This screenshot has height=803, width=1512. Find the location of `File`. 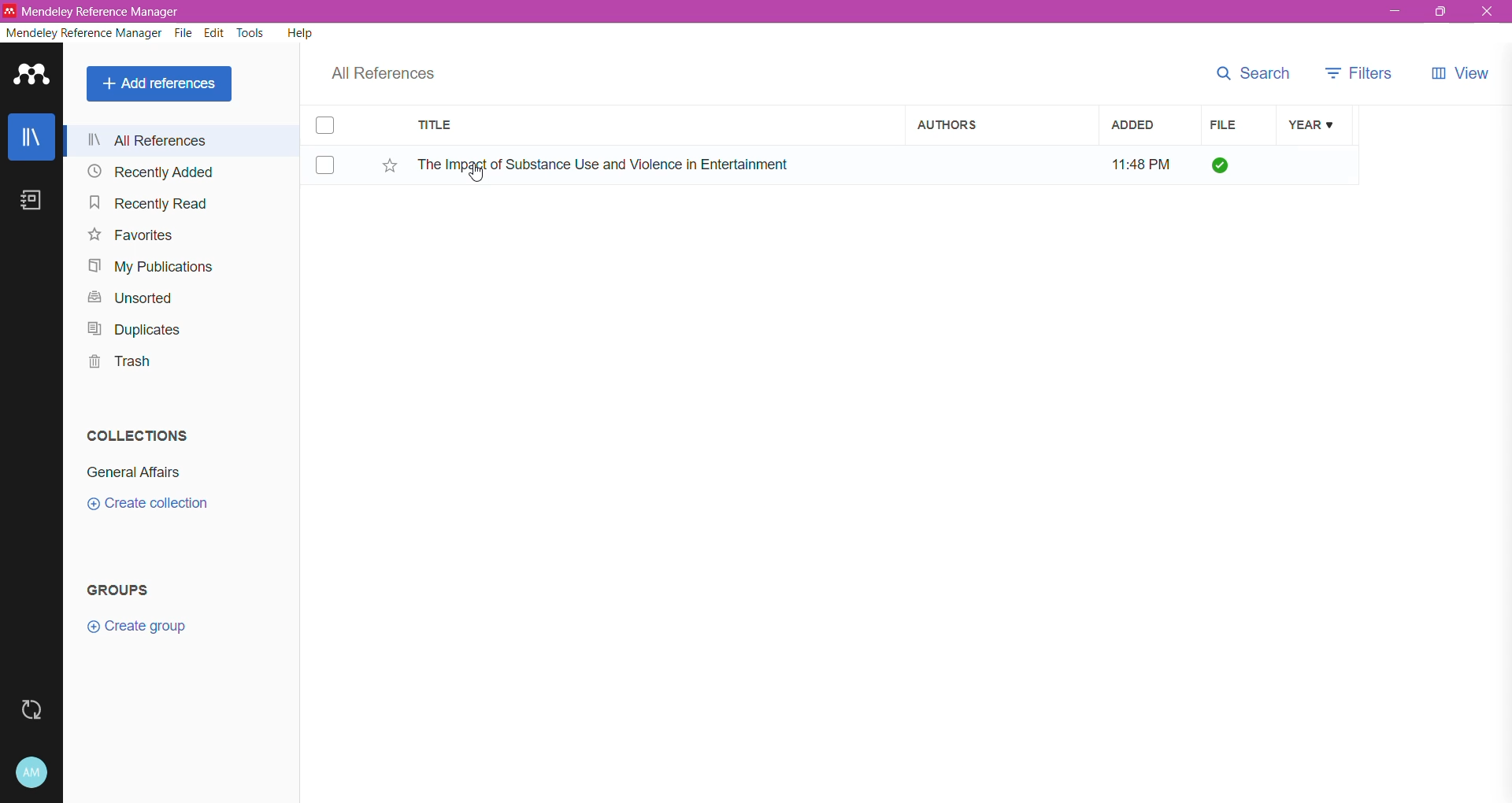

File is located at coordinates (186, 33).